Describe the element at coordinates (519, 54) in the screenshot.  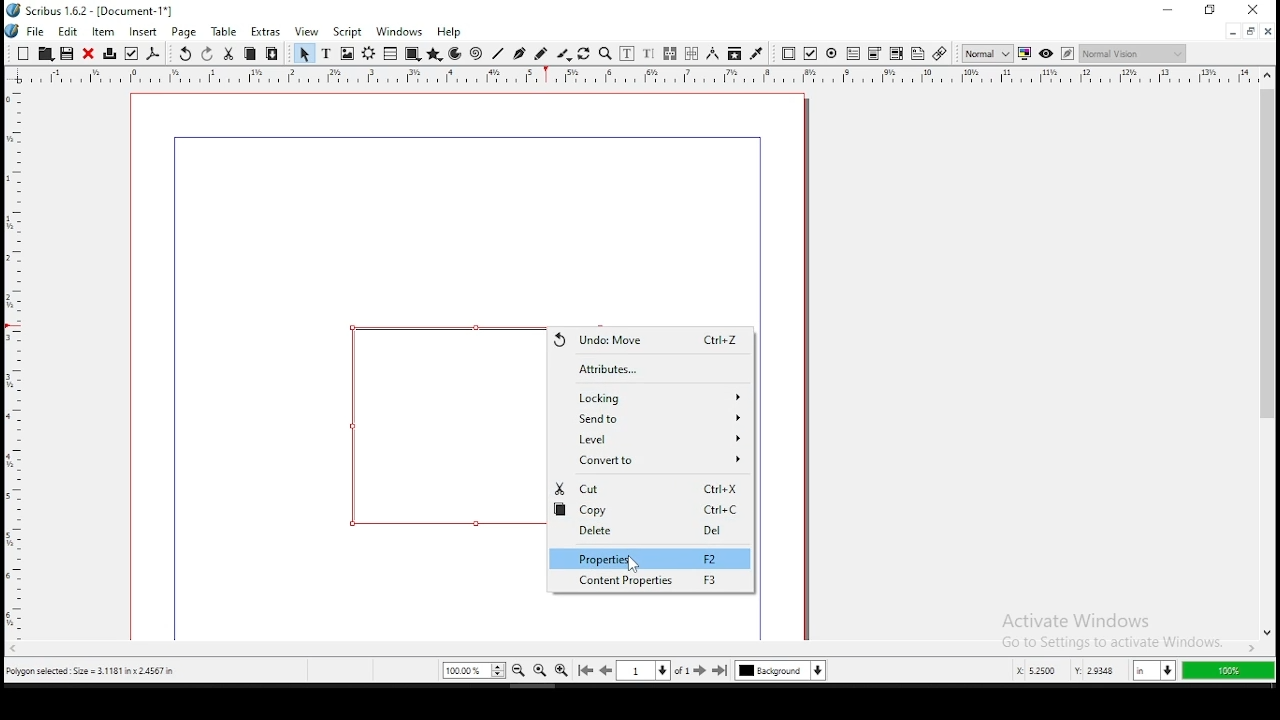
I see `bezier curve` at that location.